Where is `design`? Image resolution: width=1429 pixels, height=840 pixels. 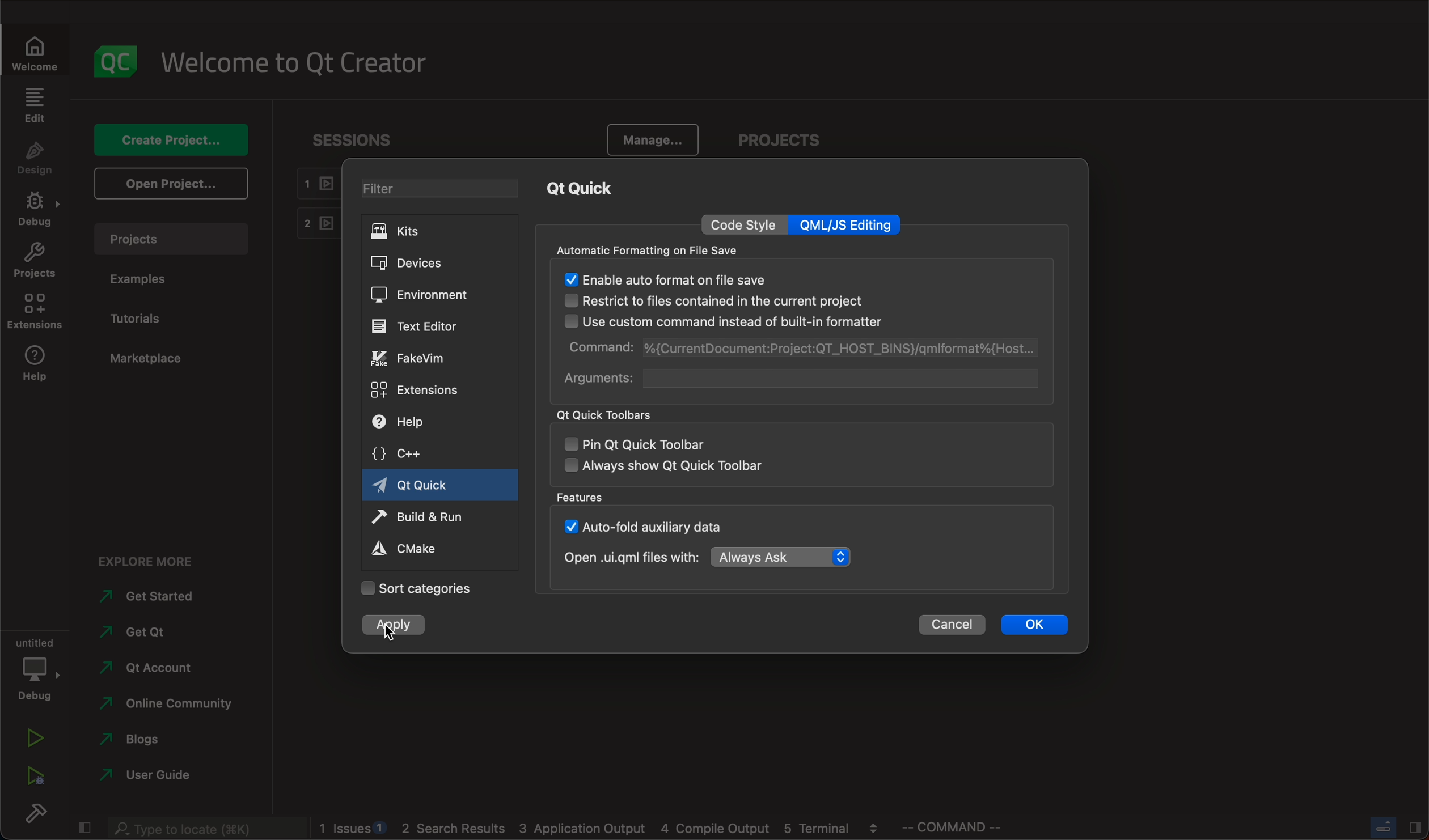 design is located at coordinates (35, 159).